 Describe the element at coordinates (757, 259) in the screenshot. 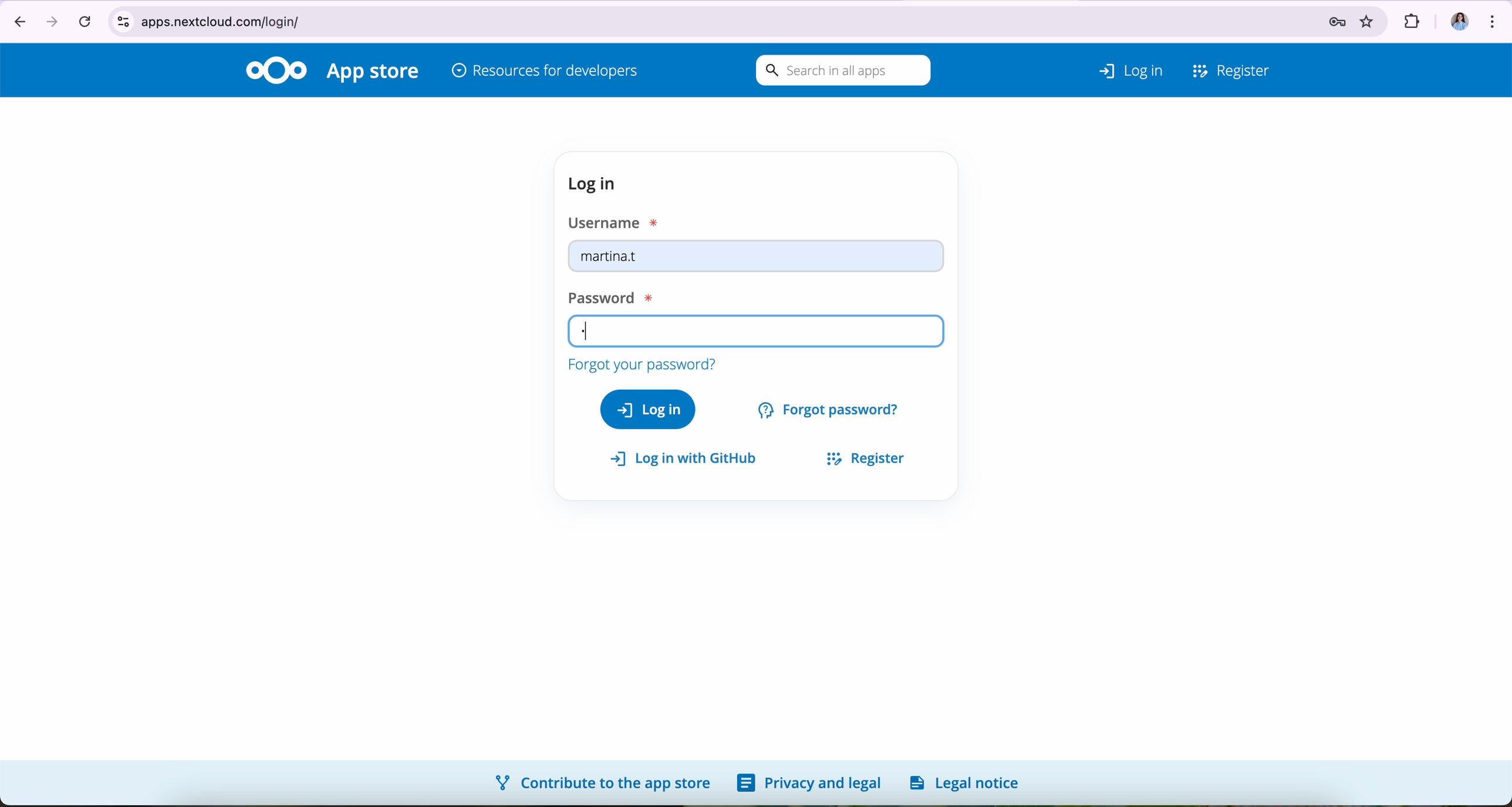

I see `martina.t` at that location.